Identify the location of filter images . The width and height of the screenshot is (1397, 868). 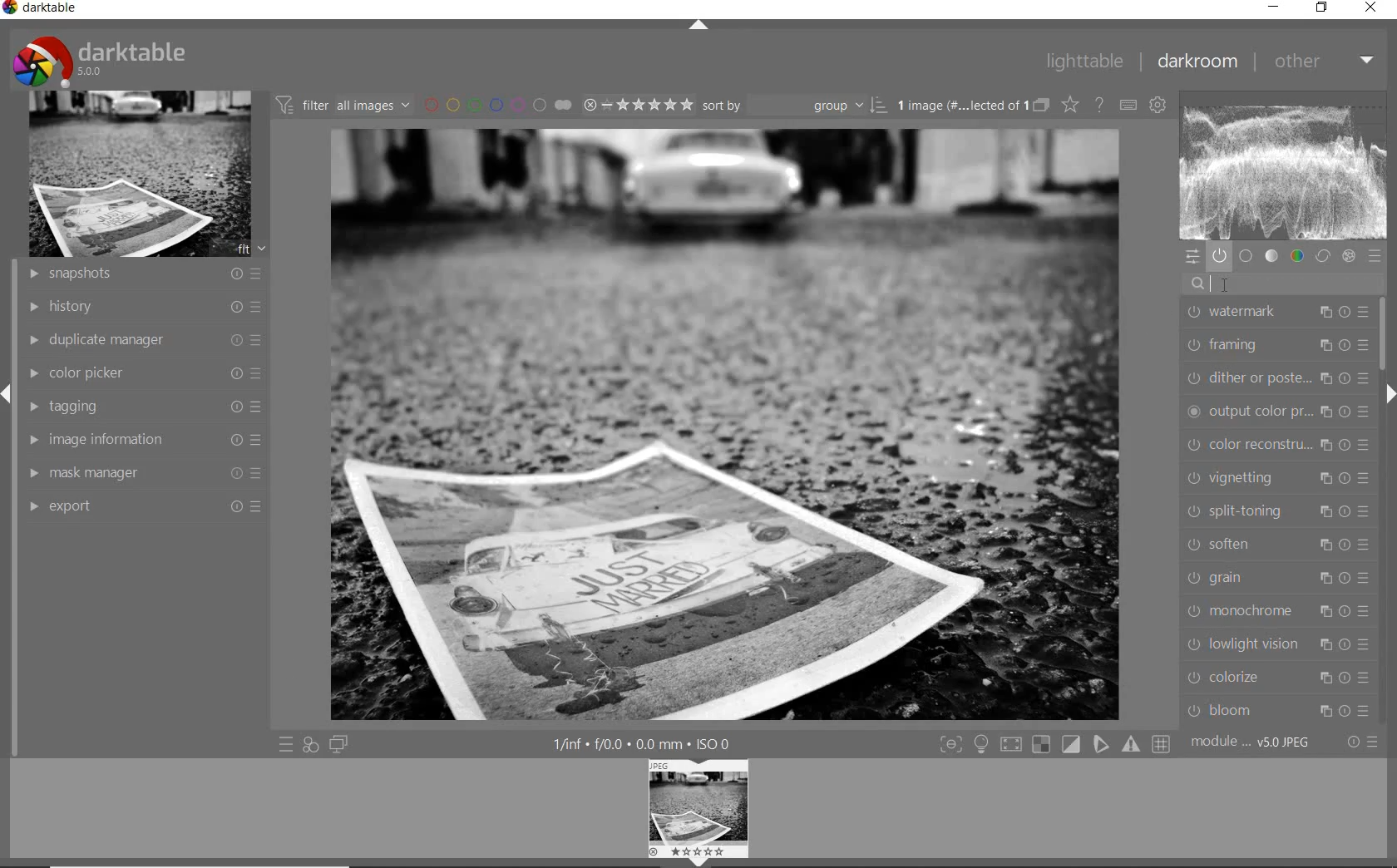
(343, 104).